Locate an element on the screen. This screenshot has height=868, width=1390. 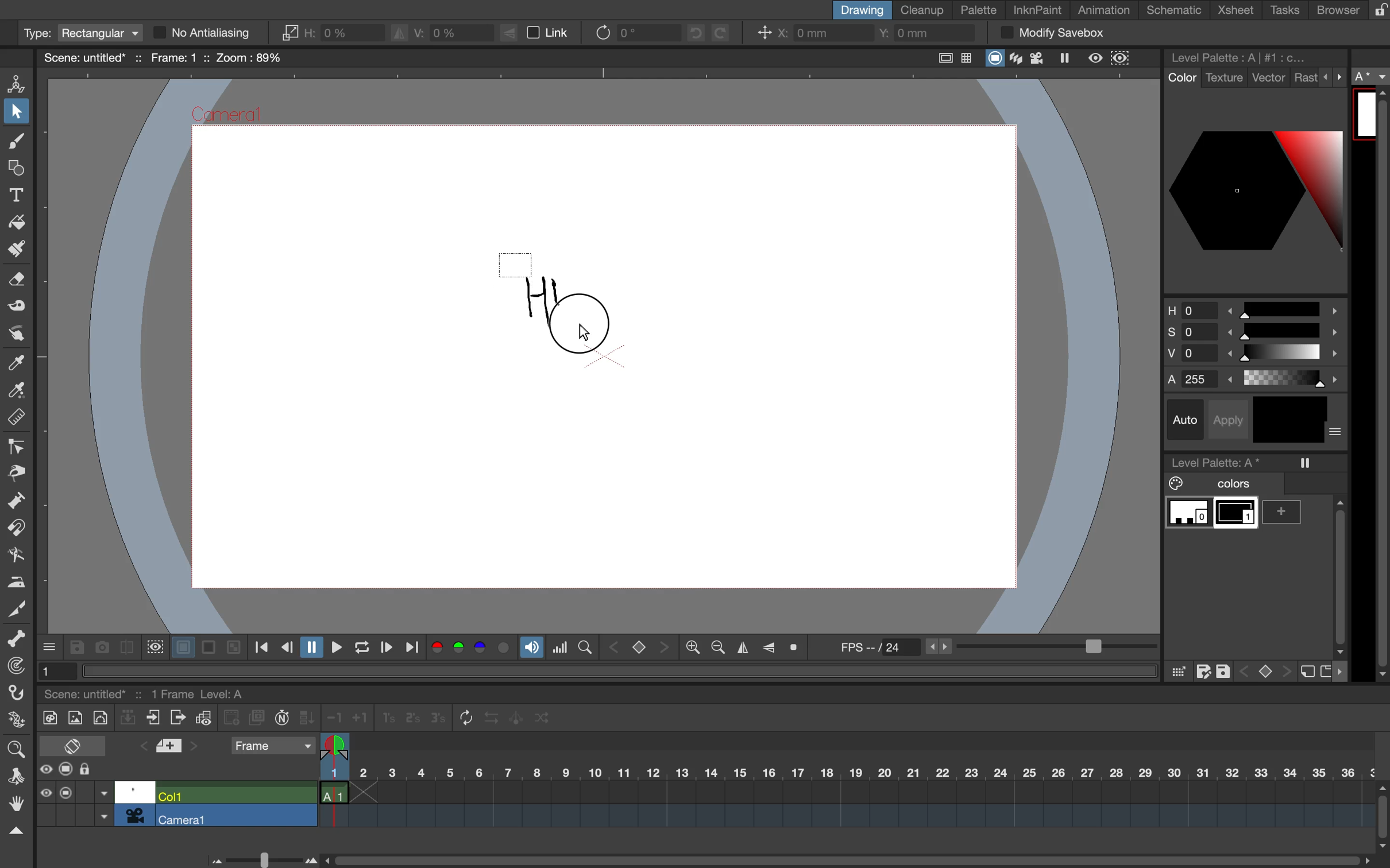
more options is located at coordinates (50, 646).